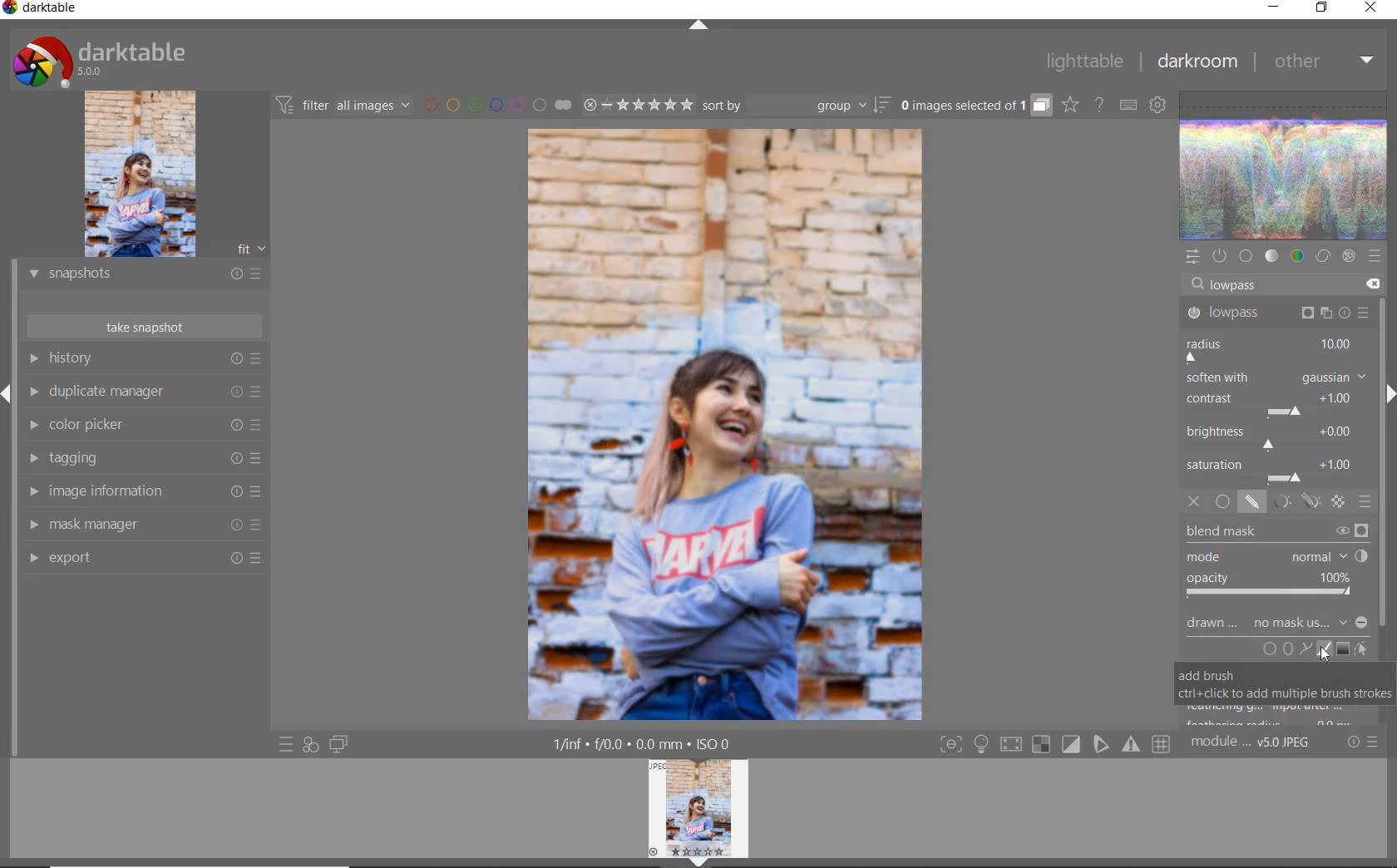 This screenshot has width=1397, height=868. What do you see at coordinates (726, 427) in the screenshot?
I see `selected image` at bounding box center [726, 427].